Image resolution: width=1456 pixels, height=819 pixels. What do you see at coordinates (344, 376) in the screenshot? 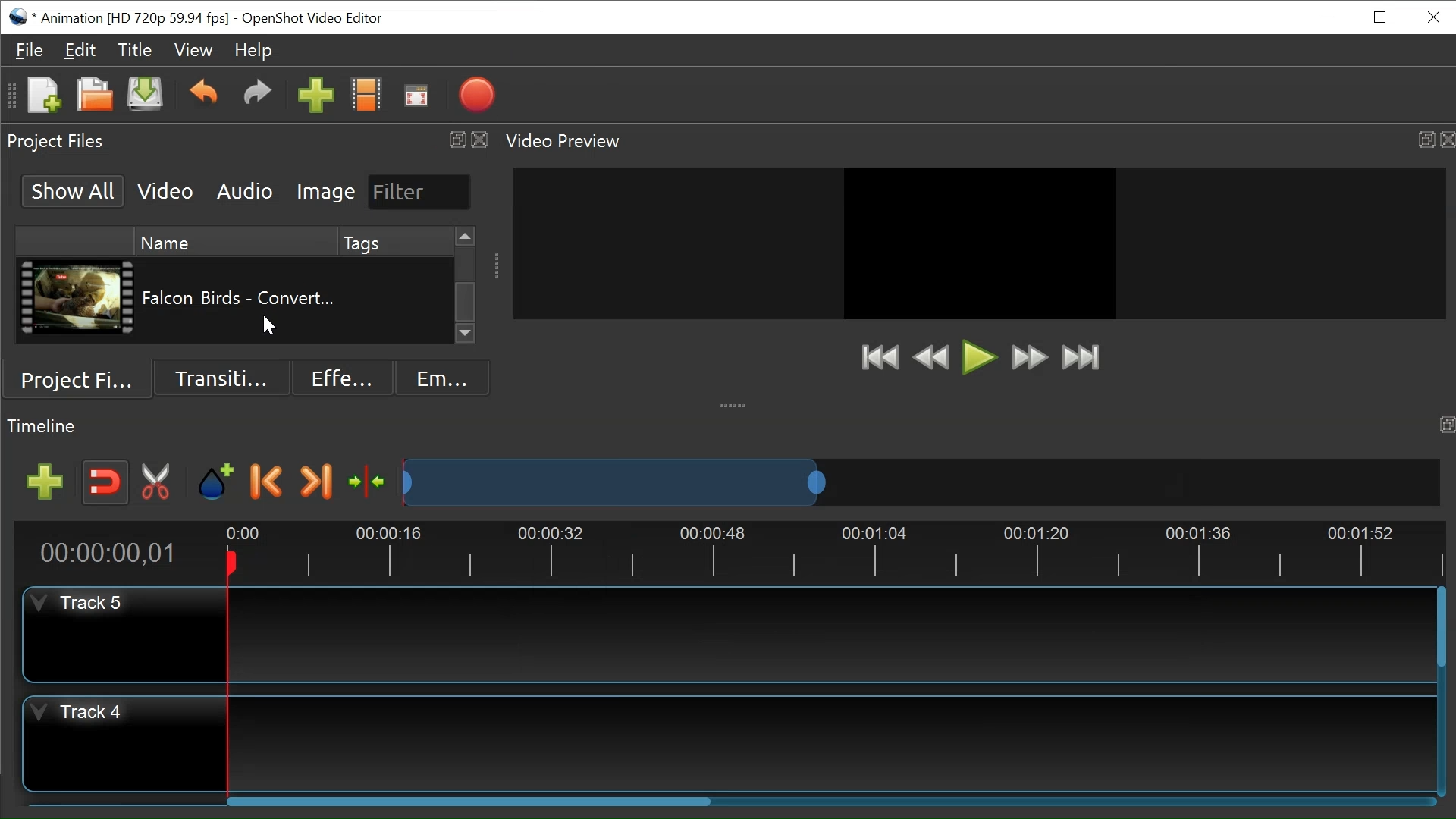
I see `Effects` at bounding box center [344, 376].